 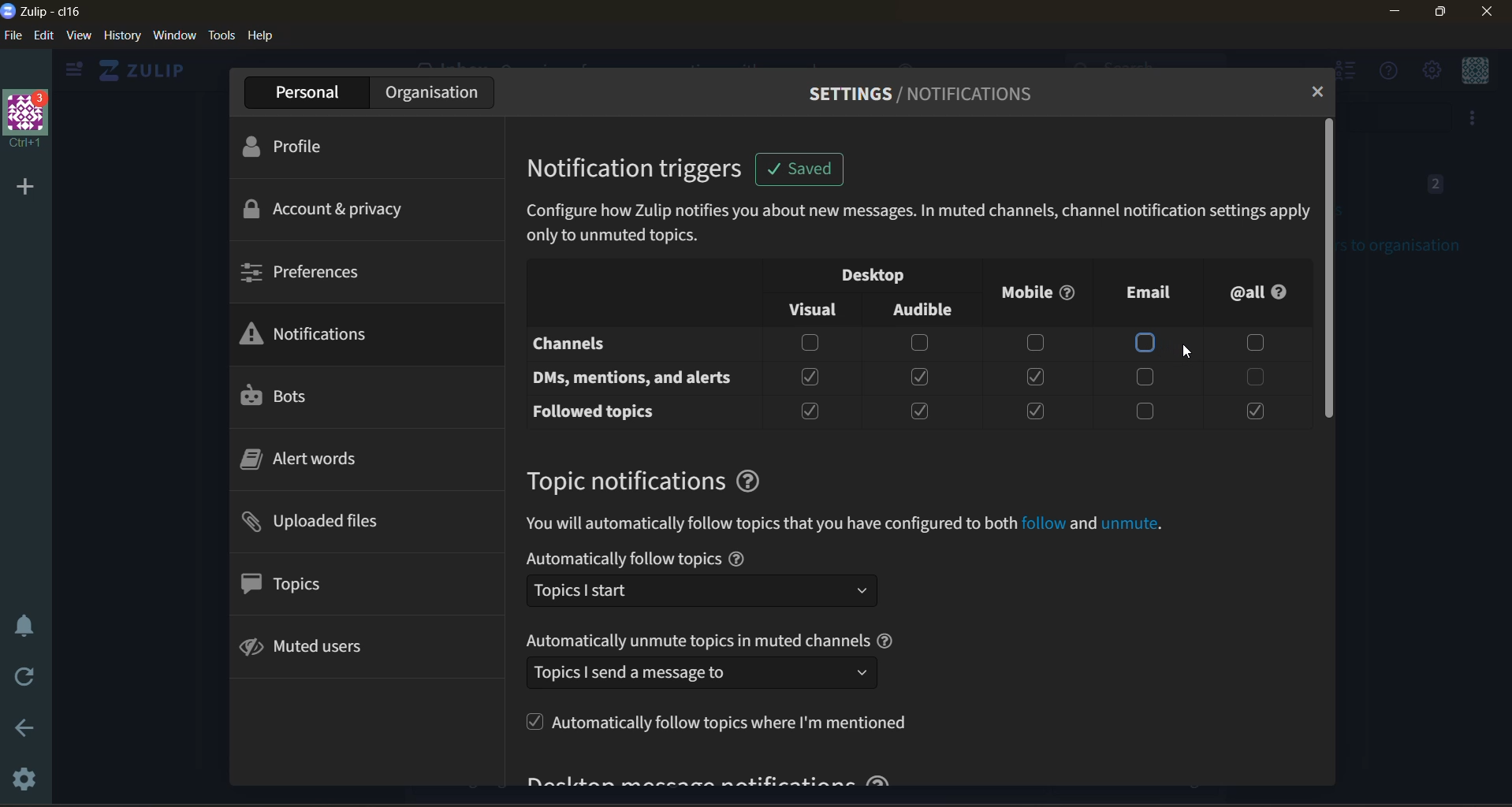 What do you see at coordinates (884, 277) in the screenshot?
I see `desktop` at bounding box center [884, 277].